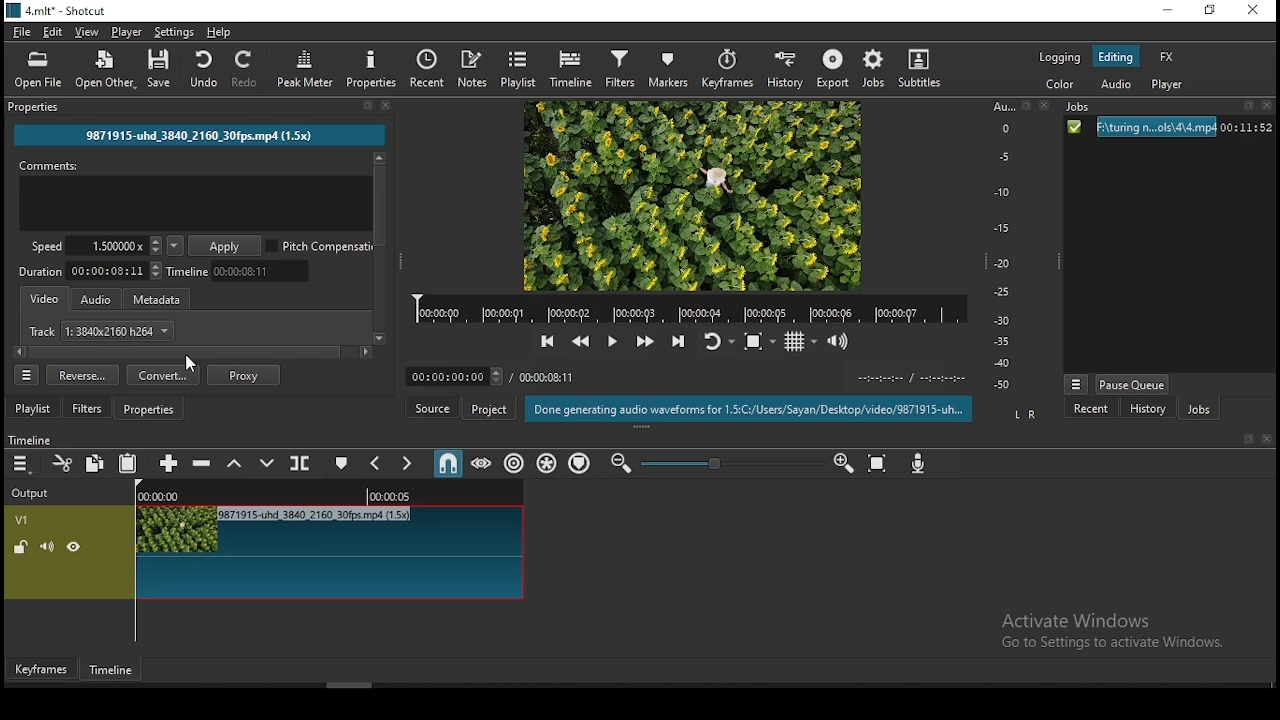 The image size is (1280, 720). What do you see at coordinates (548, 377) in the screenshot?
I see `total time` at bounding box center [548, 377].